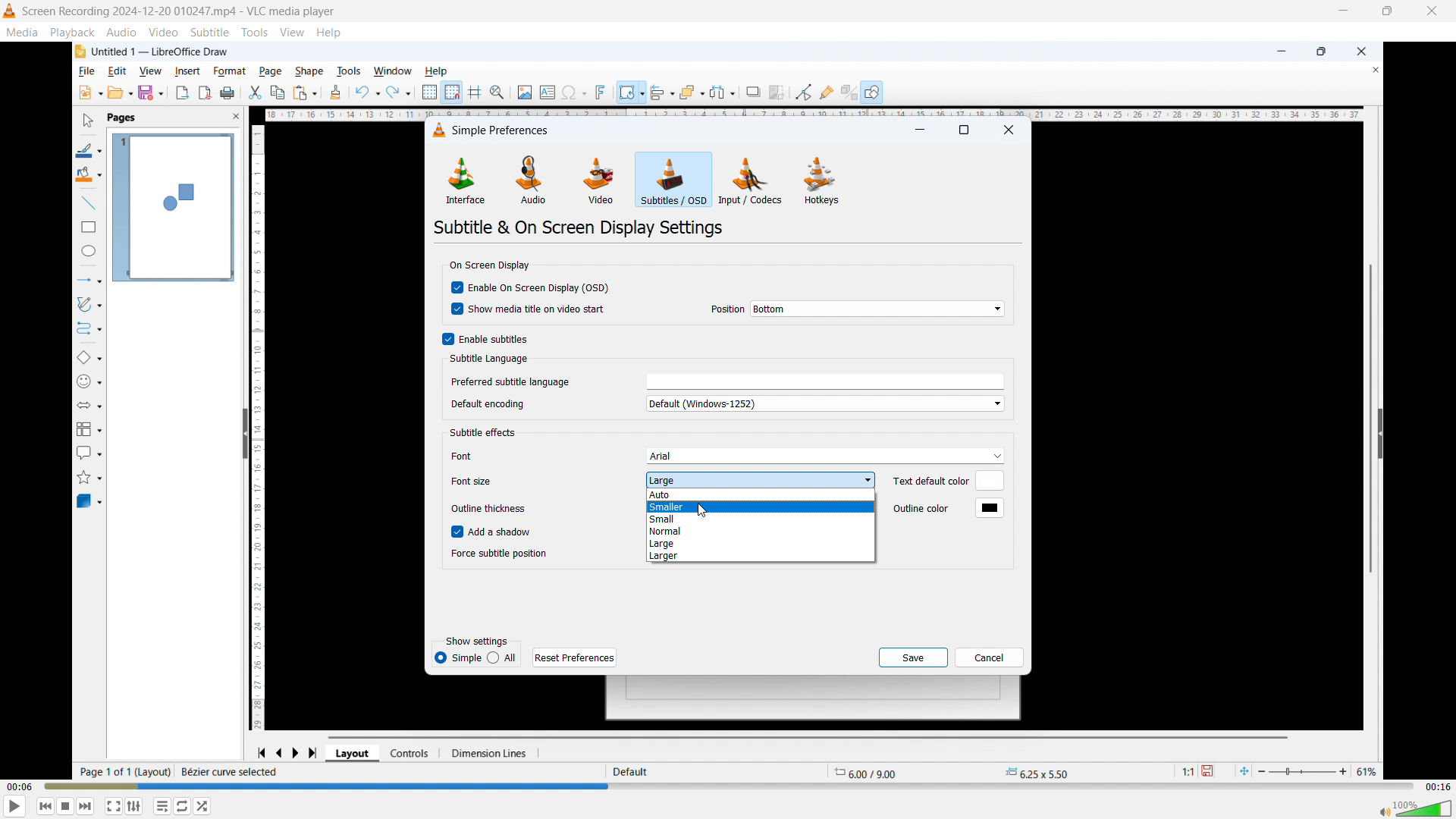  What do you see at coordinates (183, 806) in the screenshot?
I see `Show advanced settings ` at bounding box center [183, 806].